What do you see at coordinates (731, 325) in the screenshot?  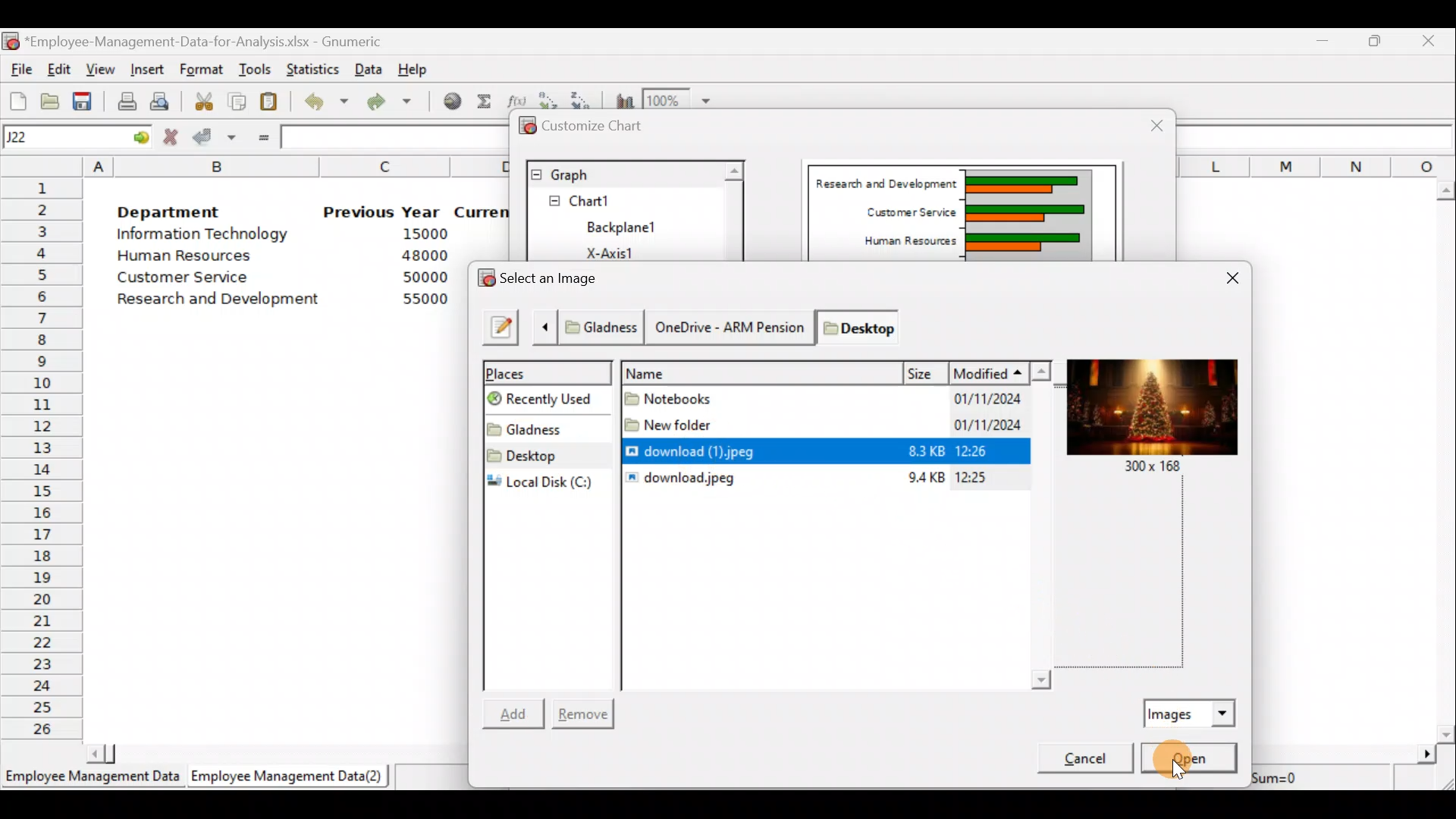 I see `* Gladness | OneDrive - ARM Pension | Desktop` at bounding box center [731, 325].